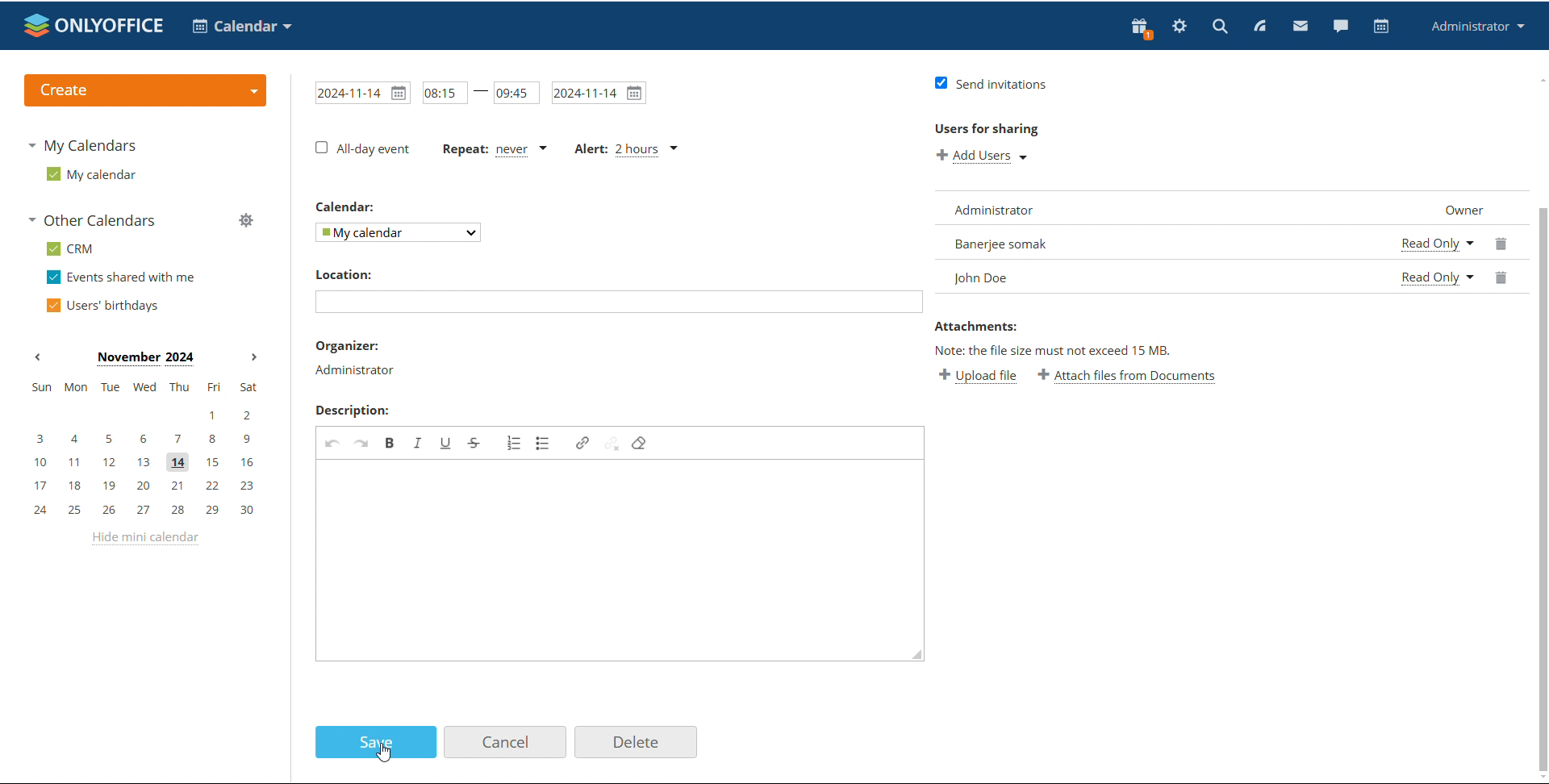  Describe the element at coordinates (1054, 351) in the screenshot. I see `note: the file size must not exceed 15 mb` at that location.